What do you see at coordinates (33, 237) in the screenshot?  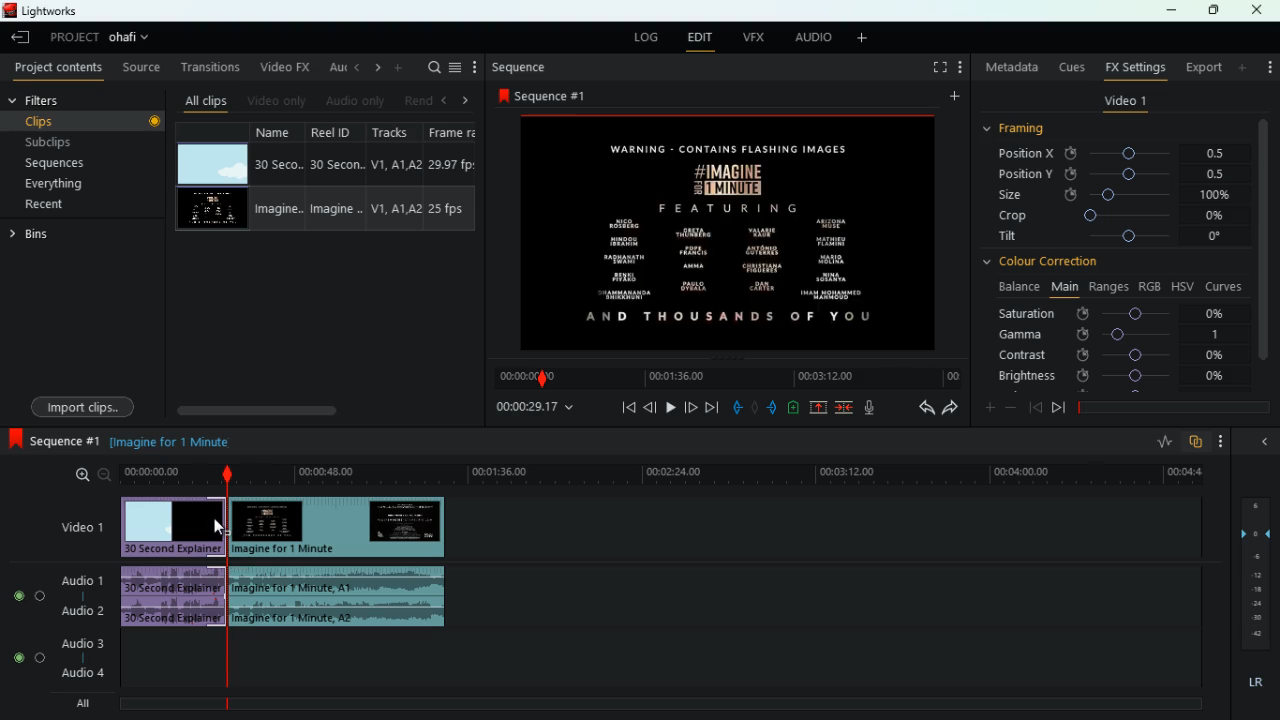 I see `bins` at bounding box center [33, 237].